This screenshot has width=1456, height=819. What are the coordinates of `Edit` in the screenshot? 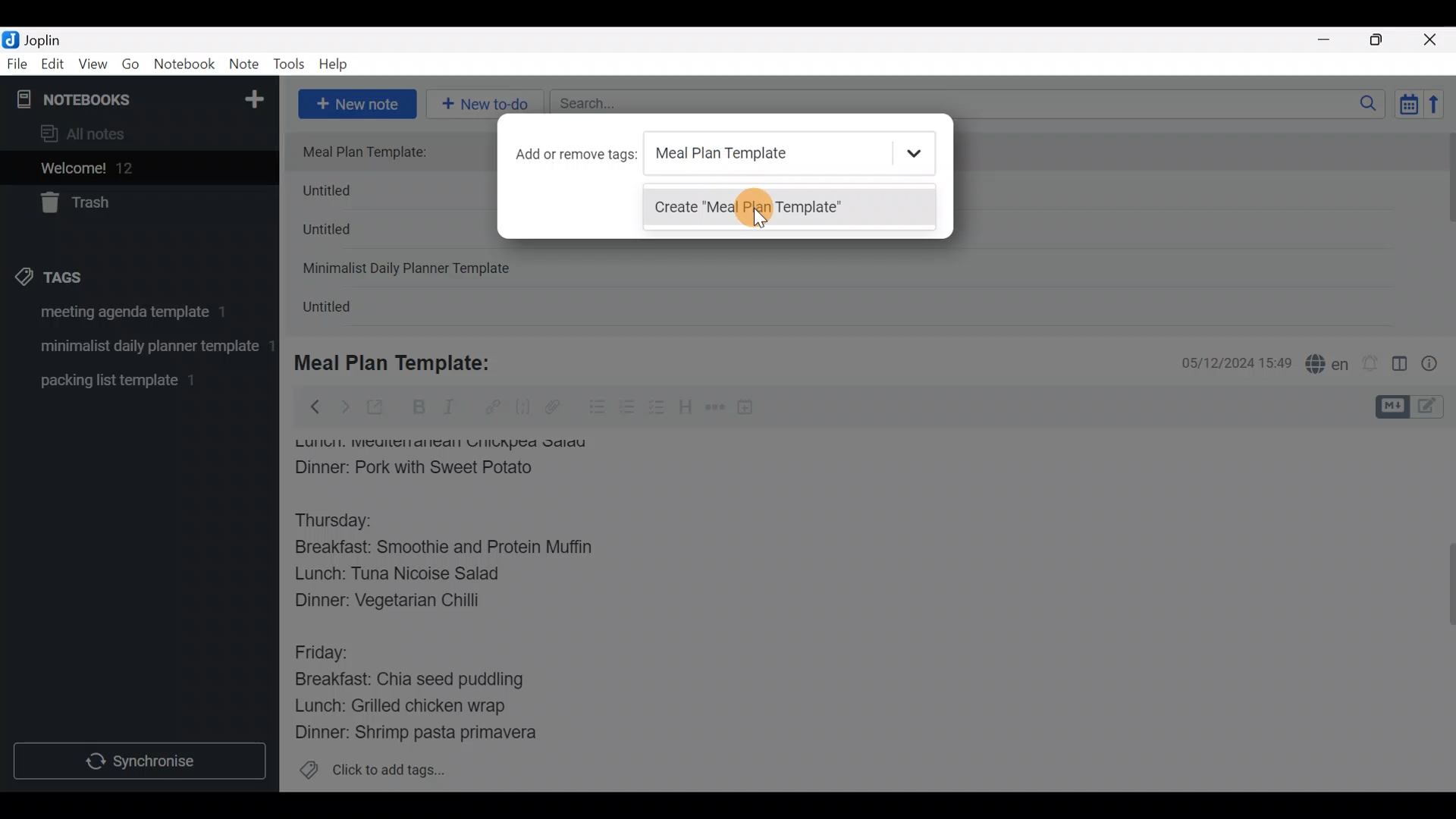 It's located at (53, 67).